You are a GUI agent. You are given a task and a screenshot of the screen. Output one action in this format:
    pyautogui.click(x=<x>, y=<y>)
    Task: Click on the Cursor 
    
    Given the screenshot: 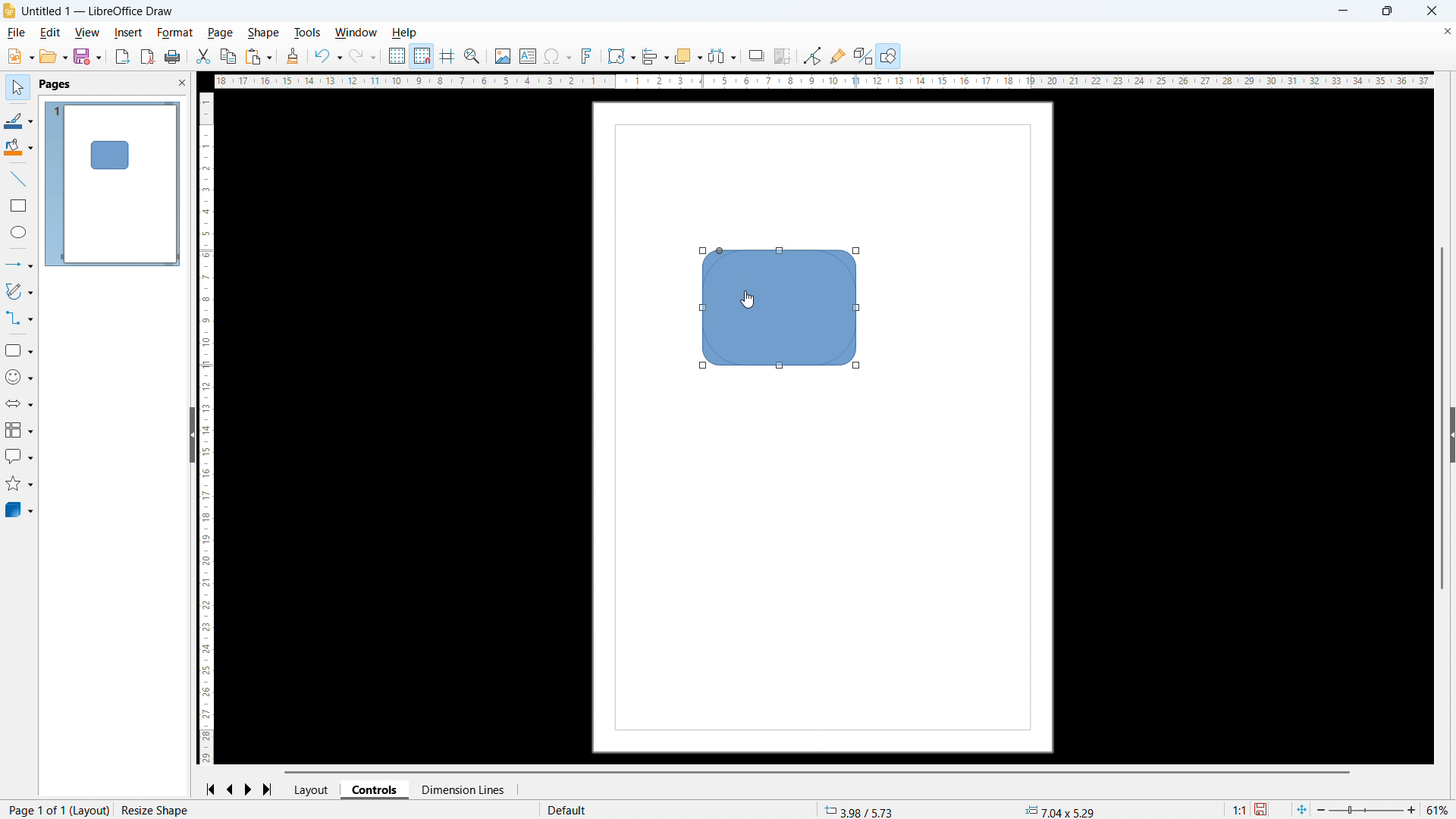 What is the action you would take?
    pyautogui.click(x=748, y=300)
    